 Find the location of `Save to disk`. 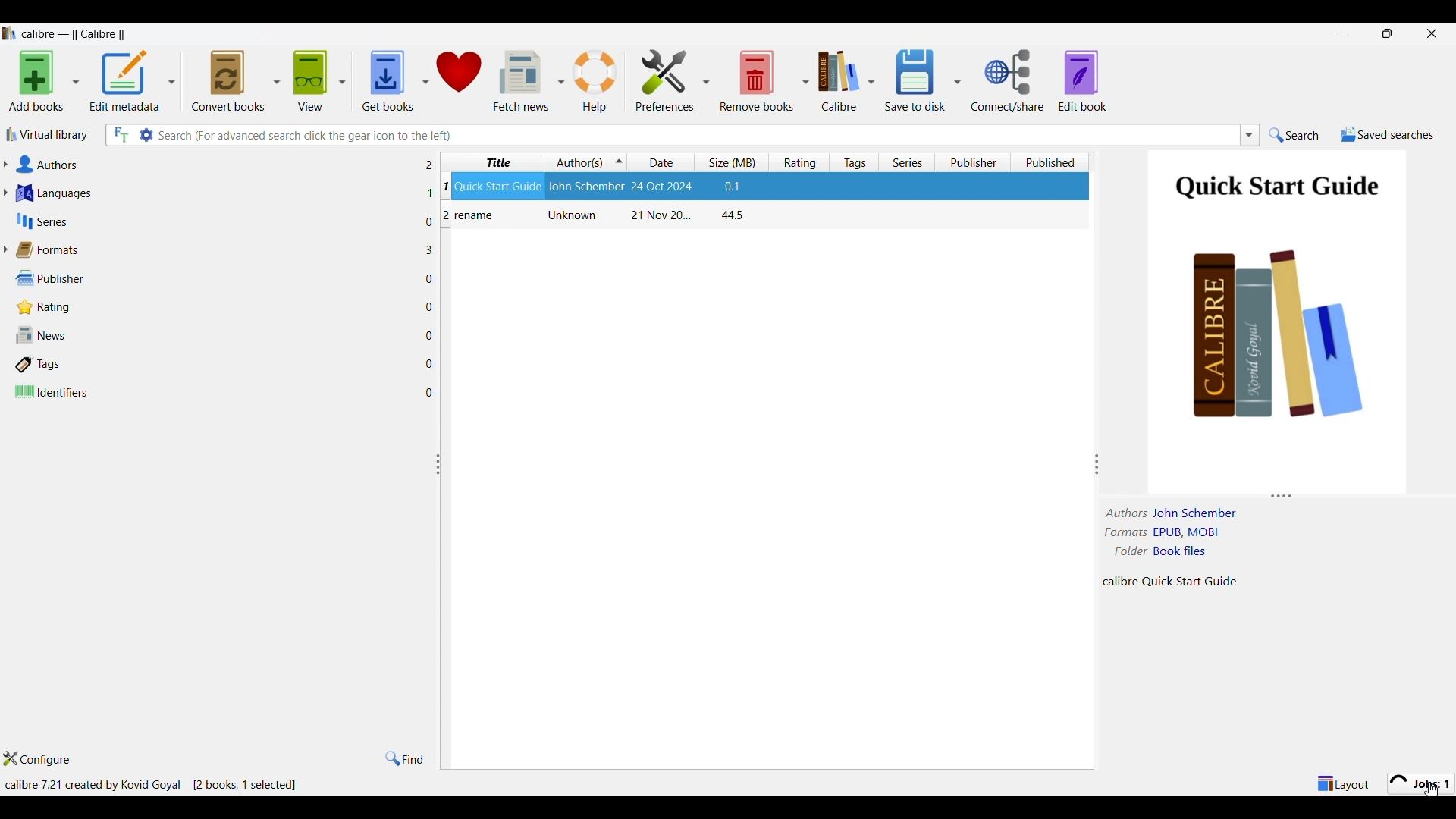

Save to disk is located at coordinates (915, 80).